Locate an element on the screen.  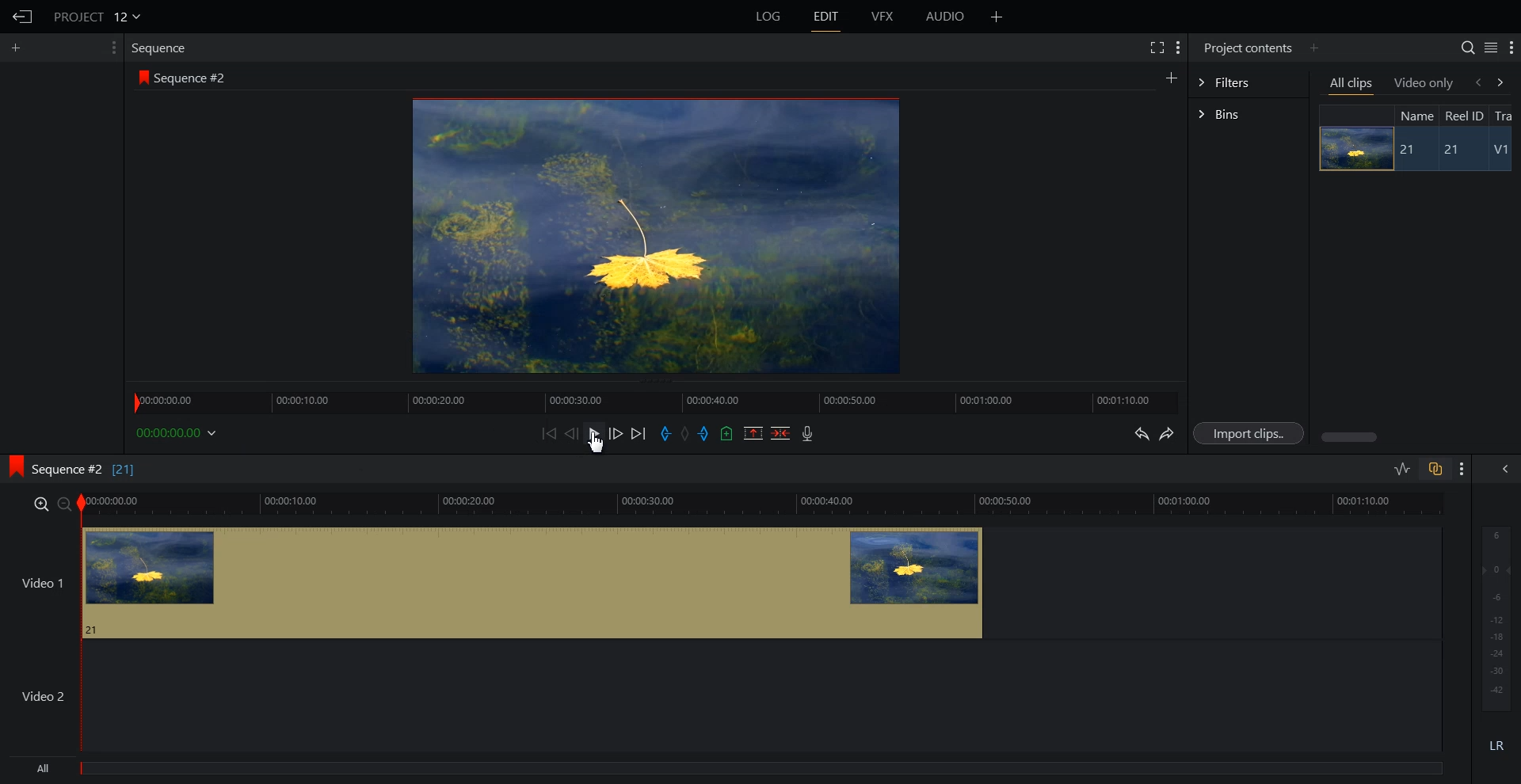
Add an Cue in current position is located at coordinates (727, 433).